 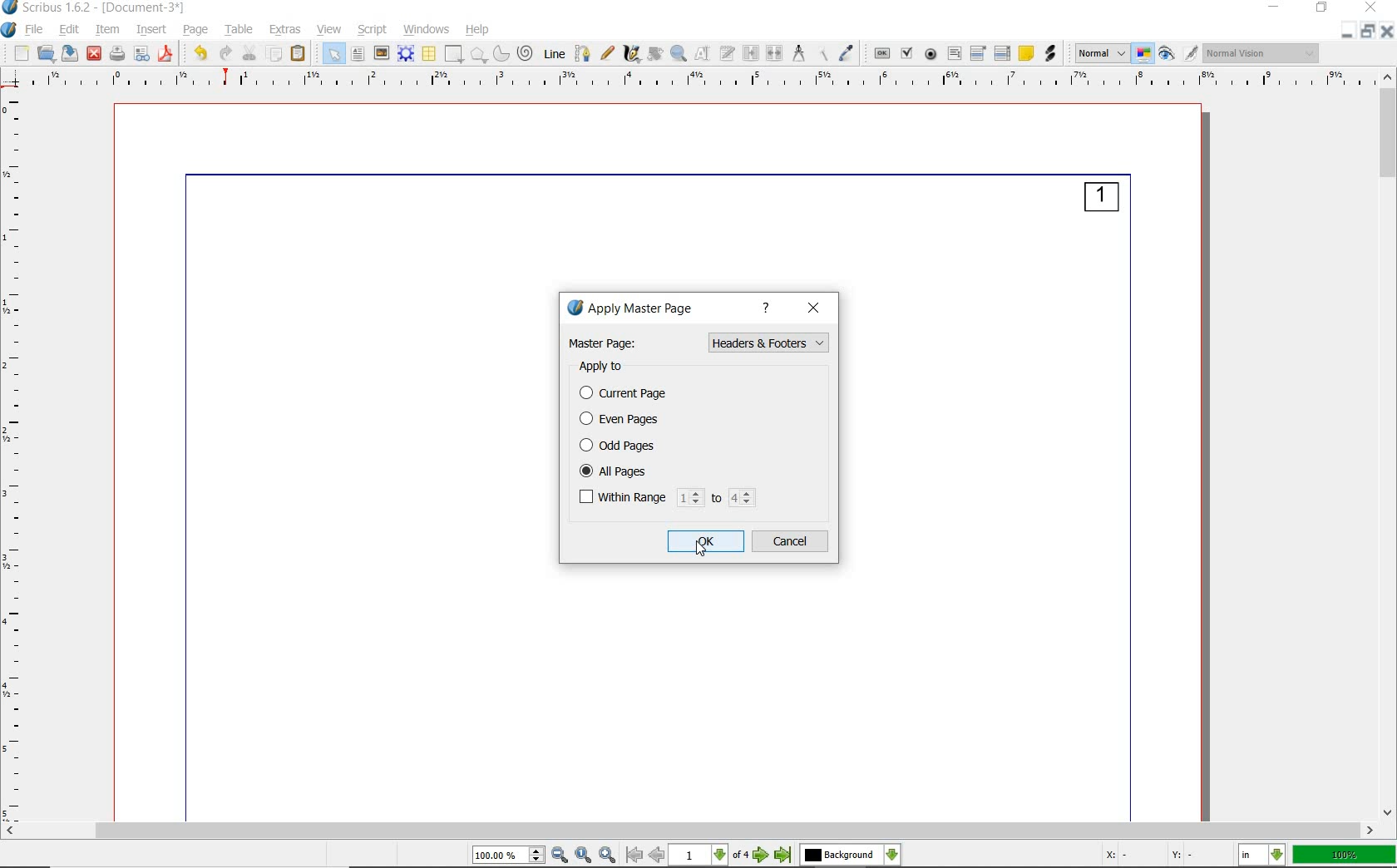 I want to click on save as pdf, so click(x=165, y=55).